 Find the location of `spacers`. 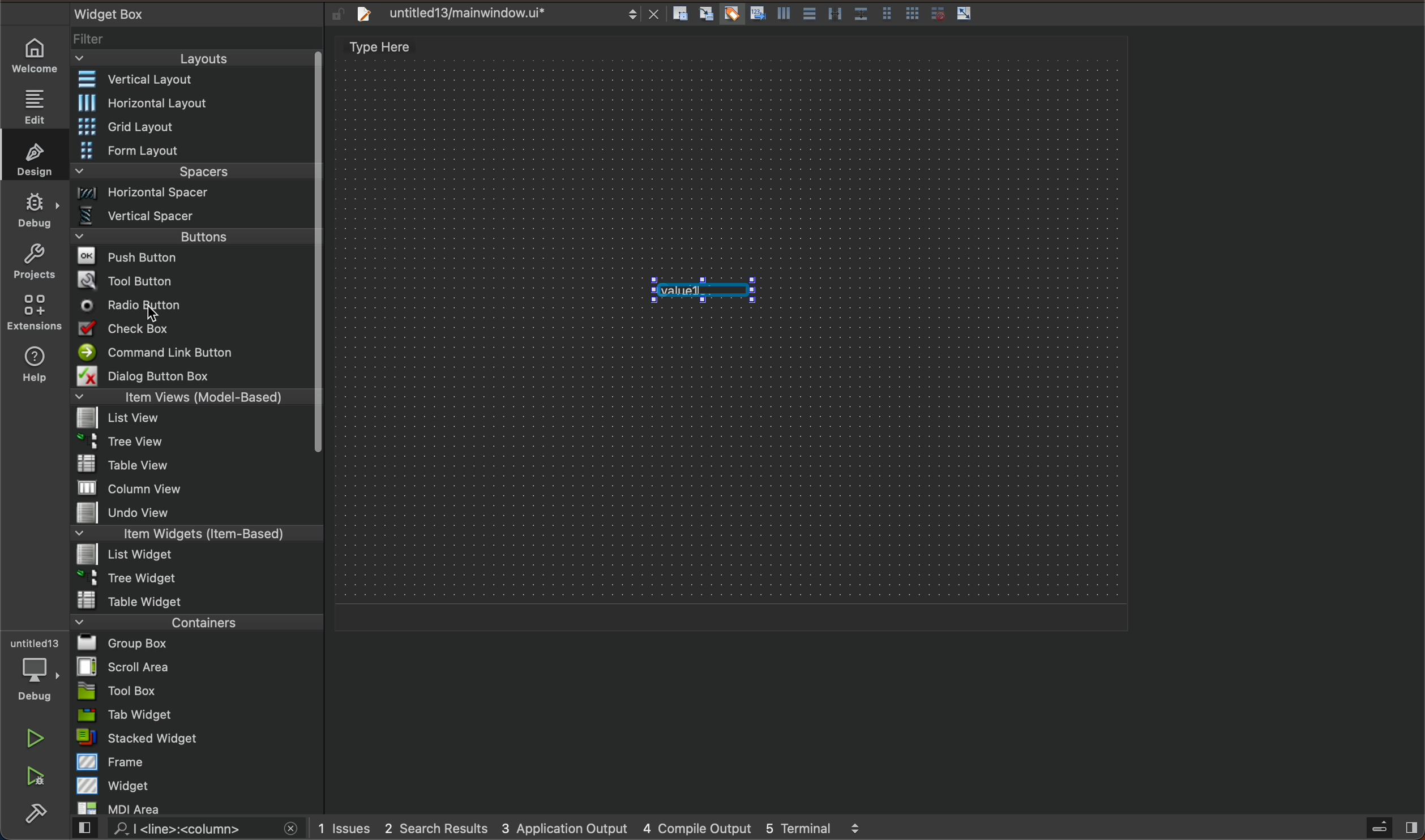

spacers is located at coordinates (194, 175).